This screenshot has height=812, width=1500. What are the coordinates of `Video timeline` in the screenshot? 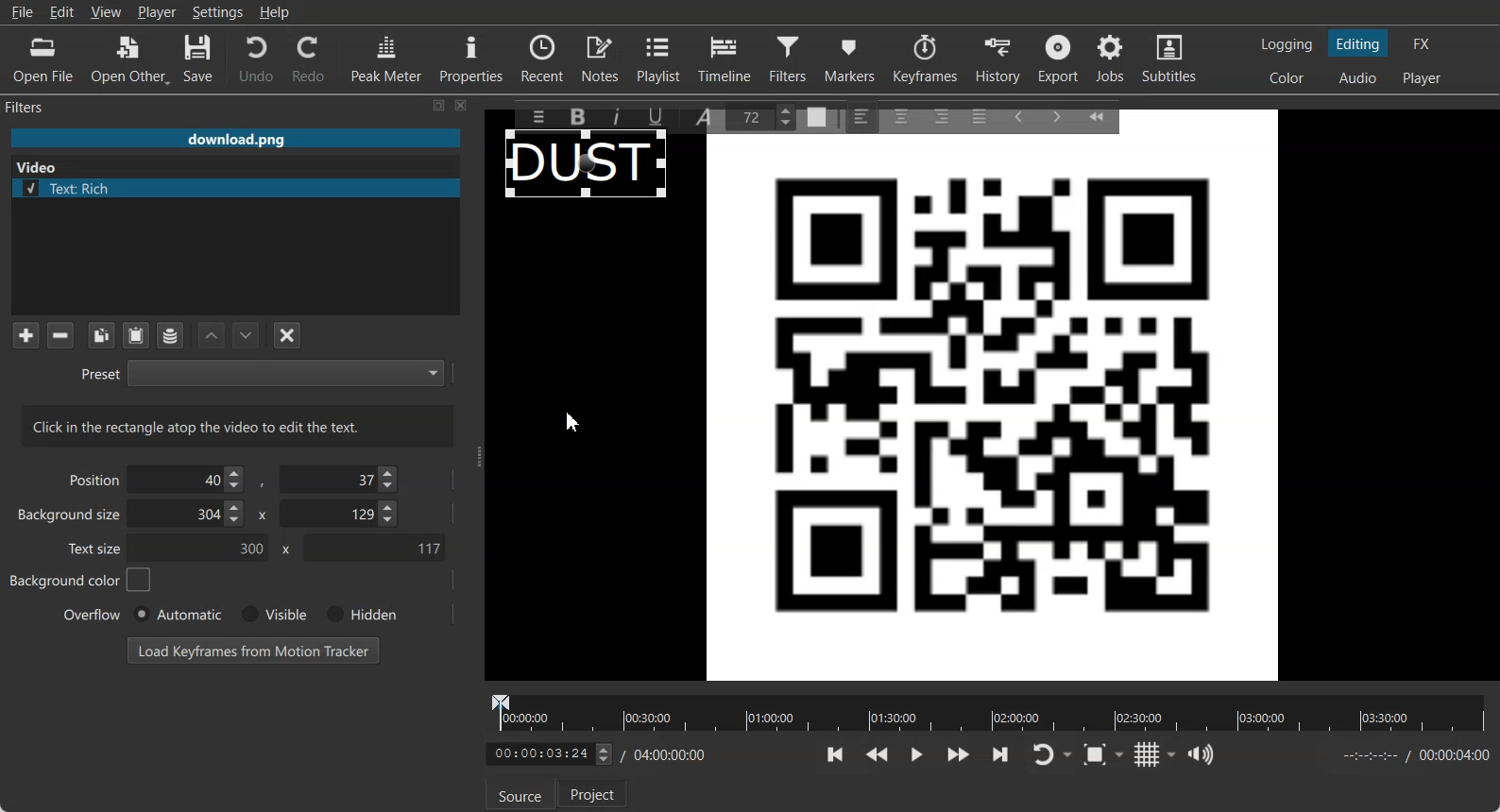 It's located at (988, 711).